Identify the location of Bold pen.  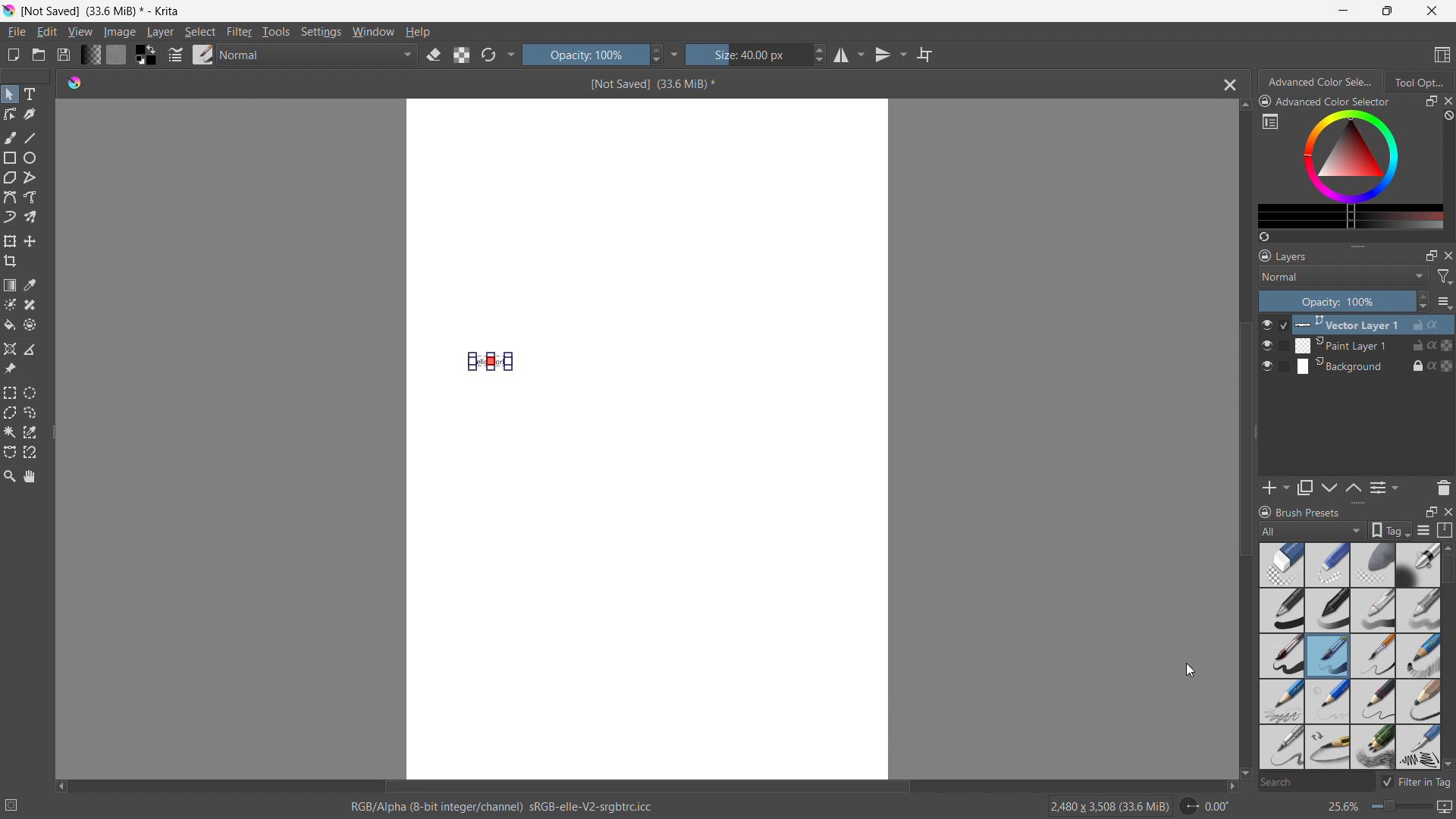
(1417, 565).